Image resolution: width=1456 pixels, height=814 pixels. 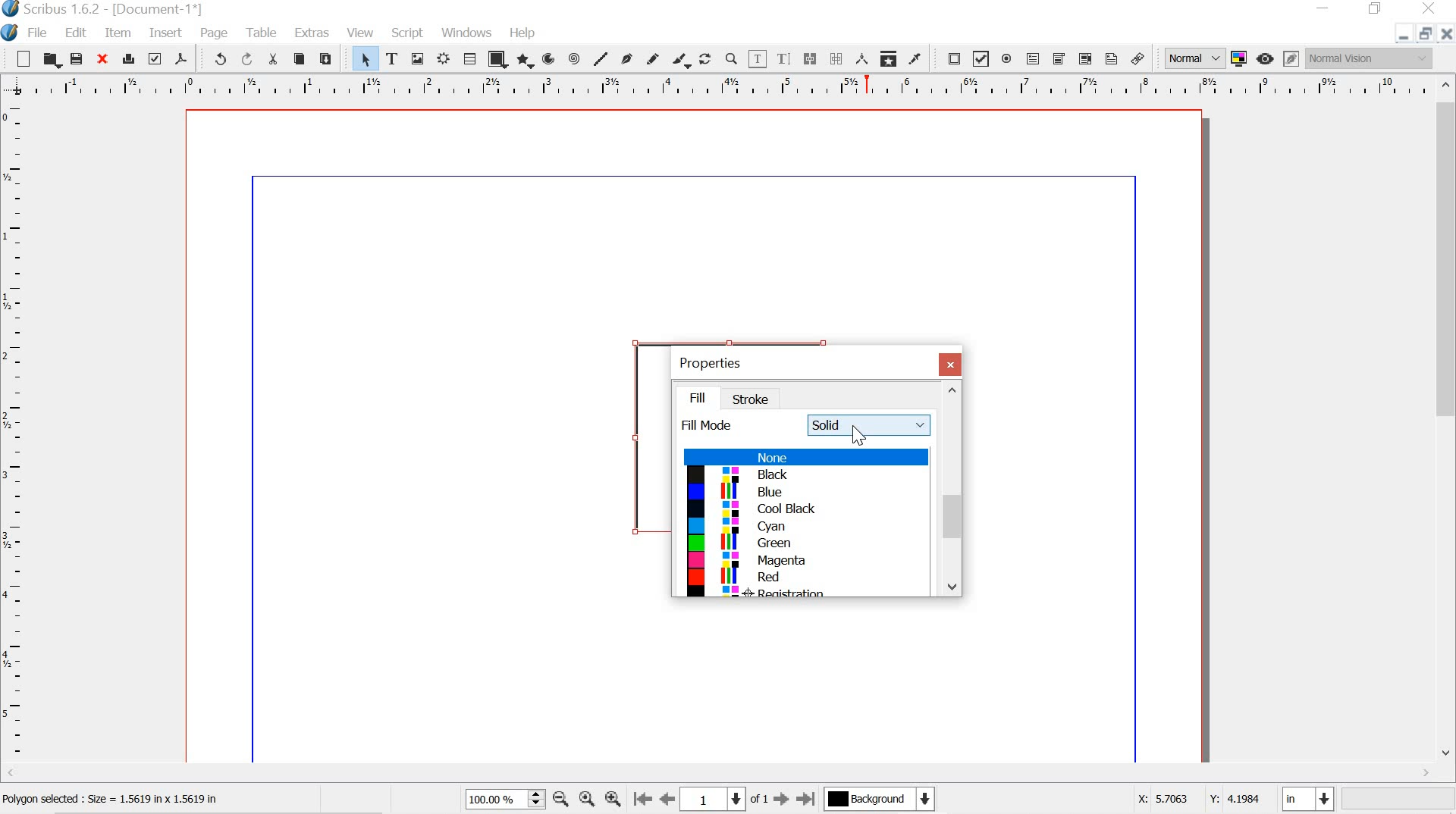 I want to click on save as pdf, so click(x=183, y=60).